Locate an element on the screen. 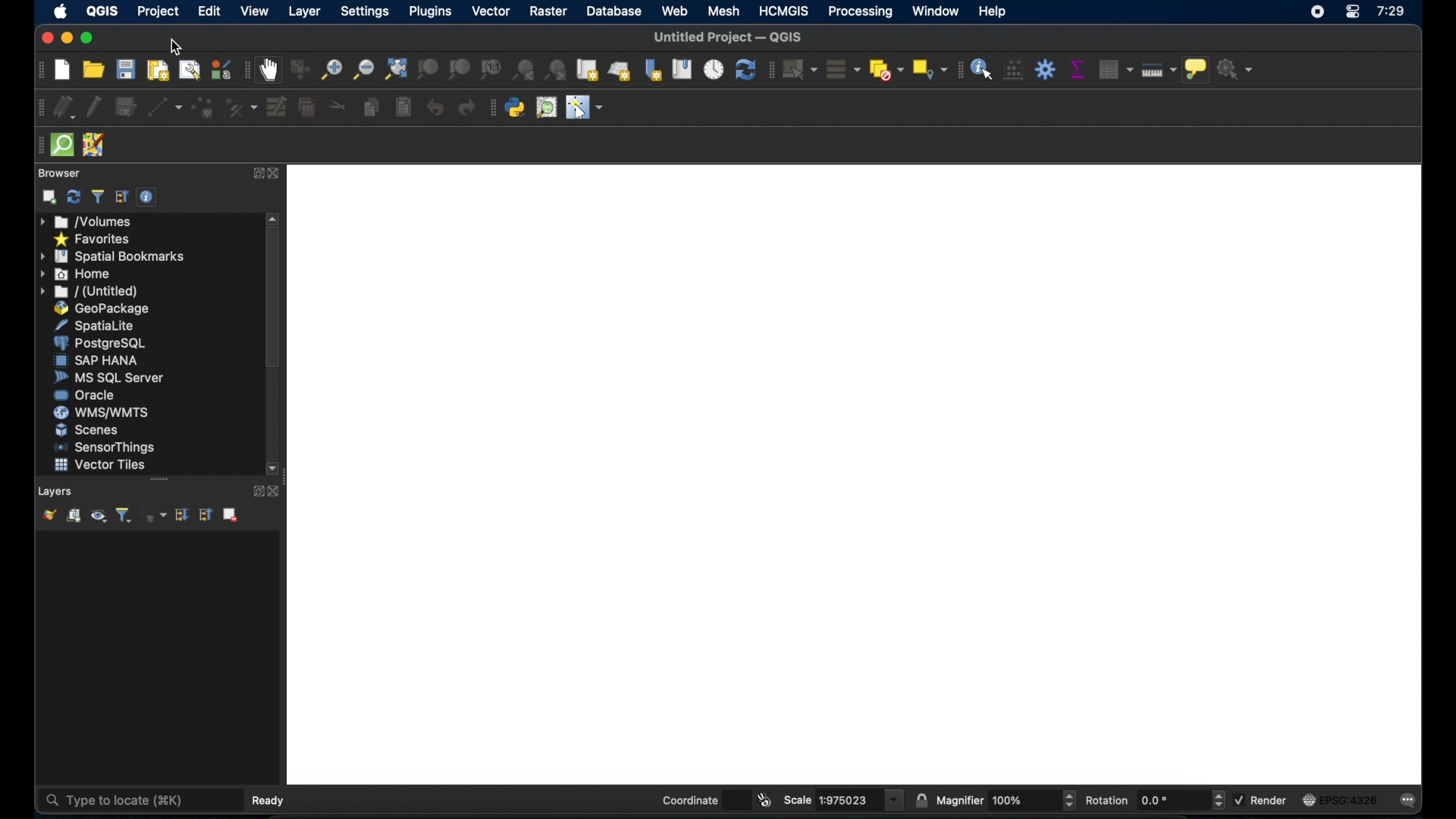 The image size is (1456, 819). plugins is located at coordinates (435, 11).